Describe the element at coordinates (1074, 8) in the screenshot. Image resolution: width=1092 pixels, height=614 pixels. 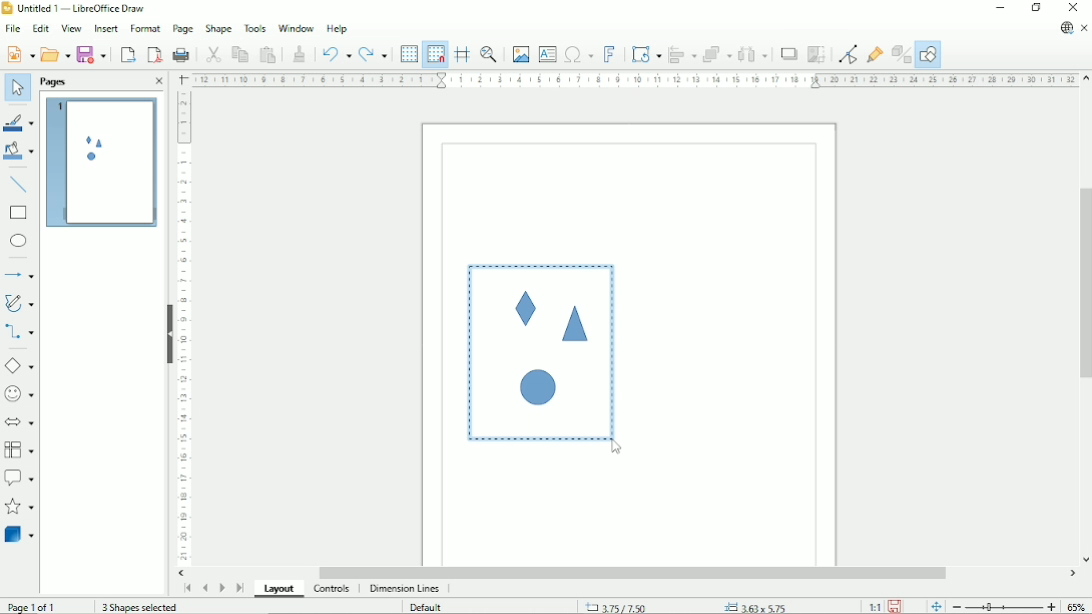
I see `Close` at that location.